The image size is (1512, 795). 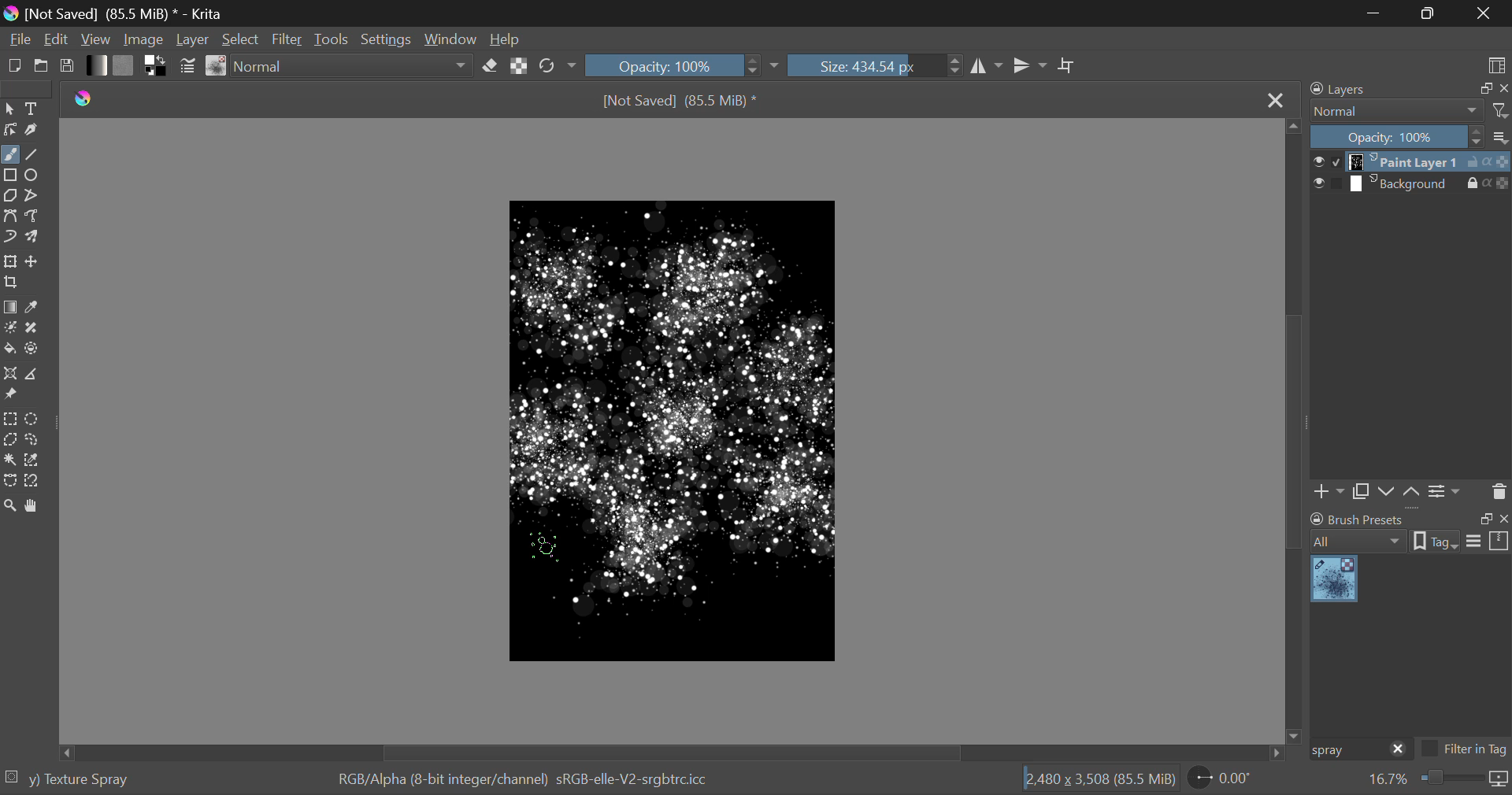 What do you see at coordinates (11, 130) in the screenshot?
I see `Edit Shapes` at bounding box center [11, 130].